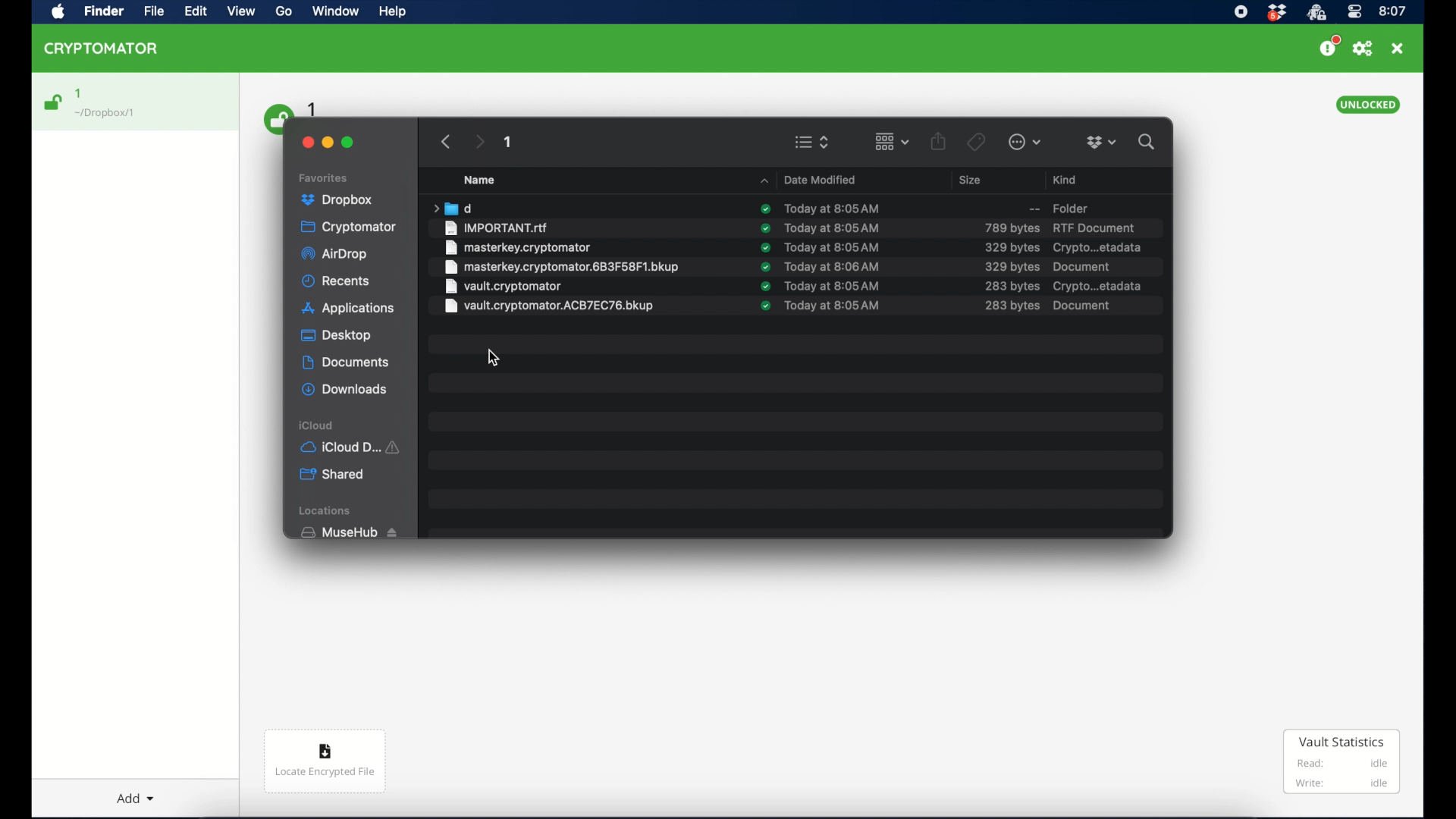 The width and height of the screenshot is (1456, 819). What do you see at coordinates (1099, 286) in the screenshot?
I see `crypto` at bounding box center [1099, 286].